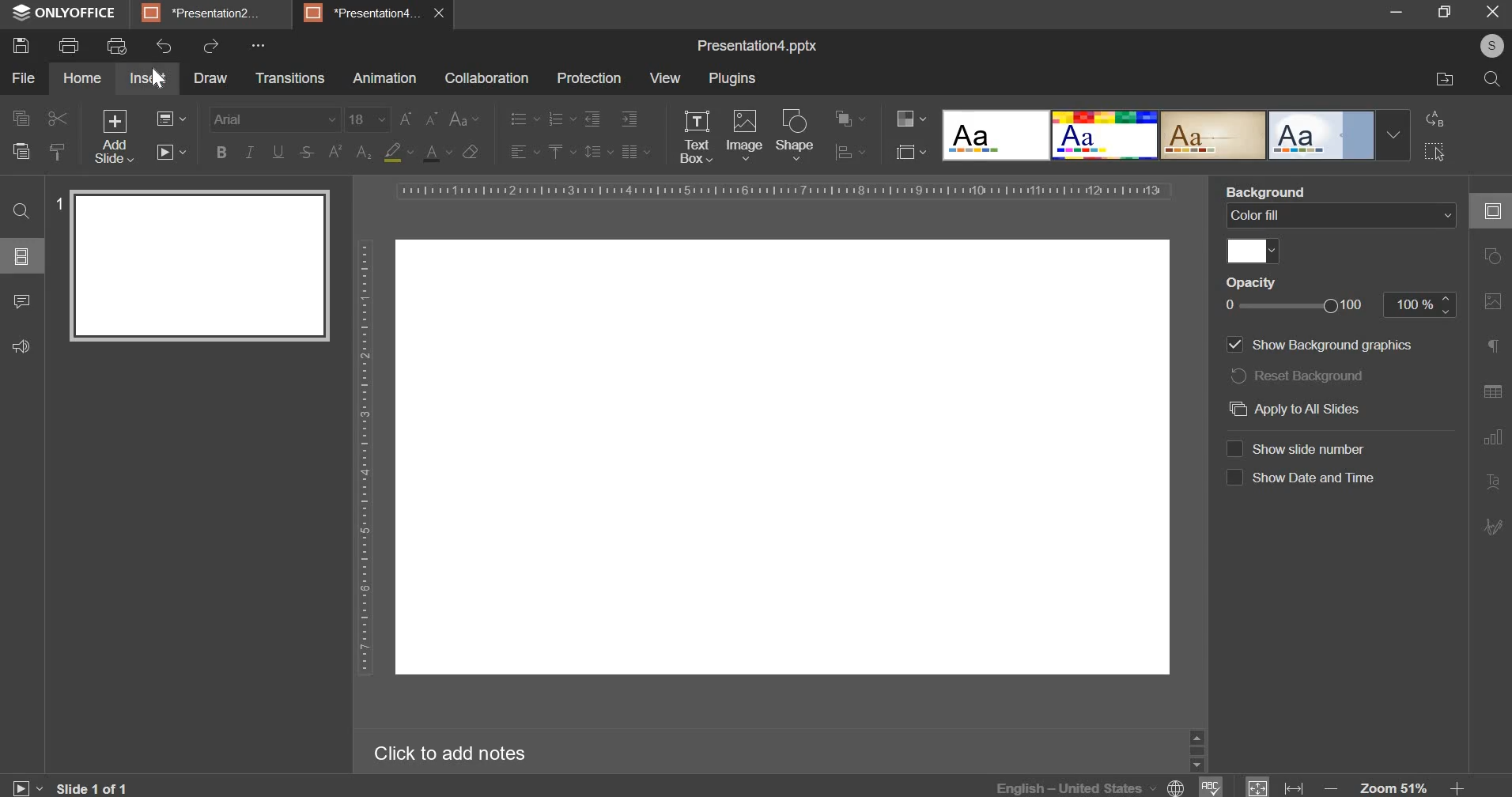 The height and width of the screenshot is (797, 1512). I want to click on view, so click(667, 77).